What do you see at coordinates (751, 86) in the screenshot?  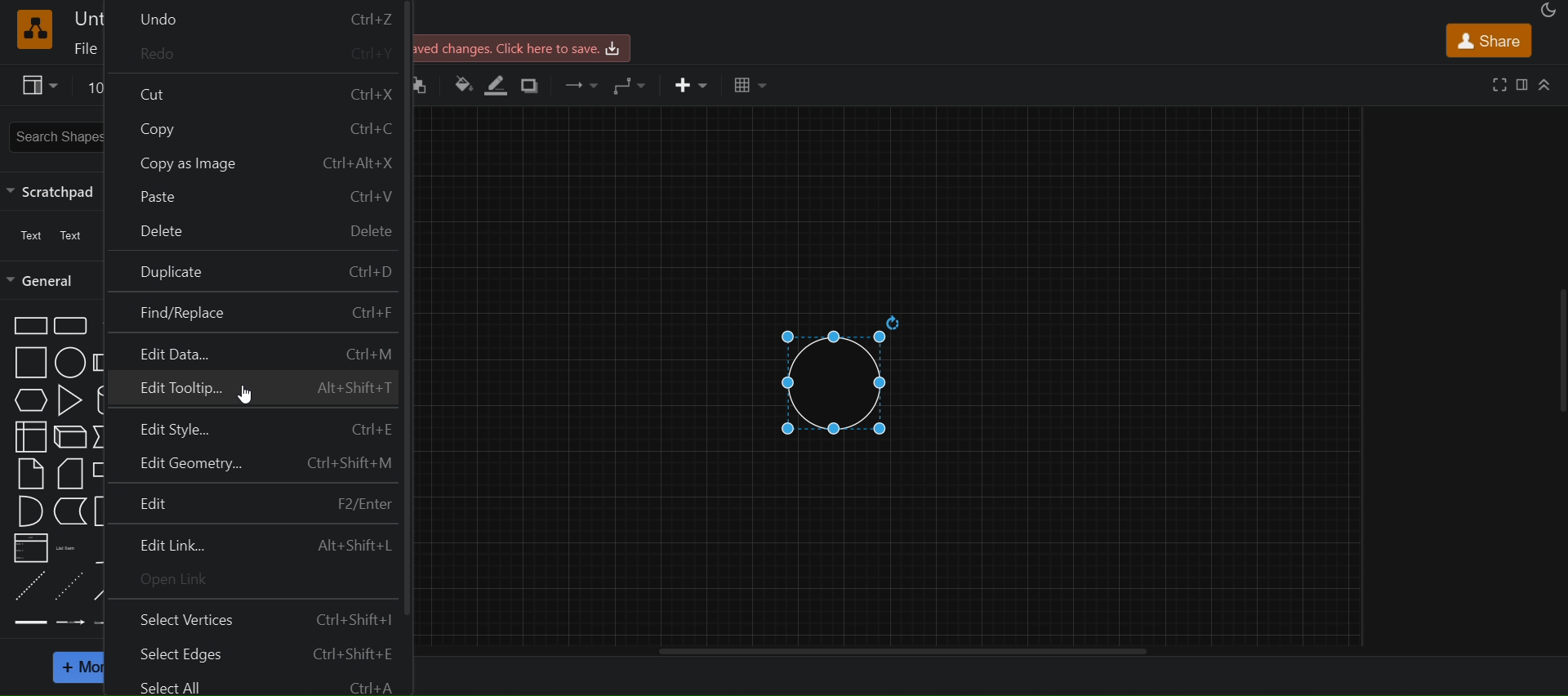 I see `table` at bounding box center [751, 86].